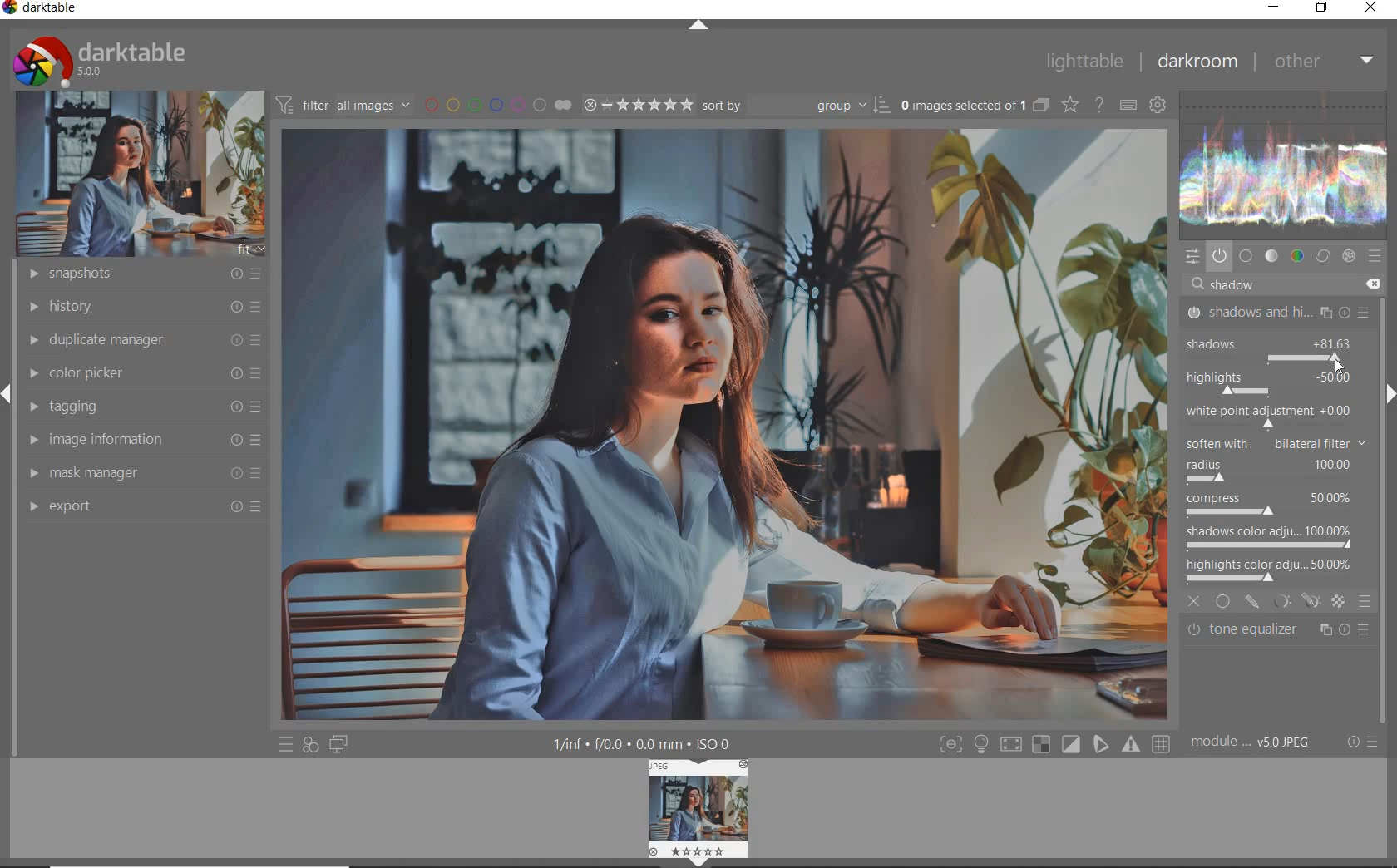 The image size is (1397, 868). What do you see at coordinates (1361, 742) in the screenshot?
I see `reset or presets & preferences ` at bounding box center [1361, 742].